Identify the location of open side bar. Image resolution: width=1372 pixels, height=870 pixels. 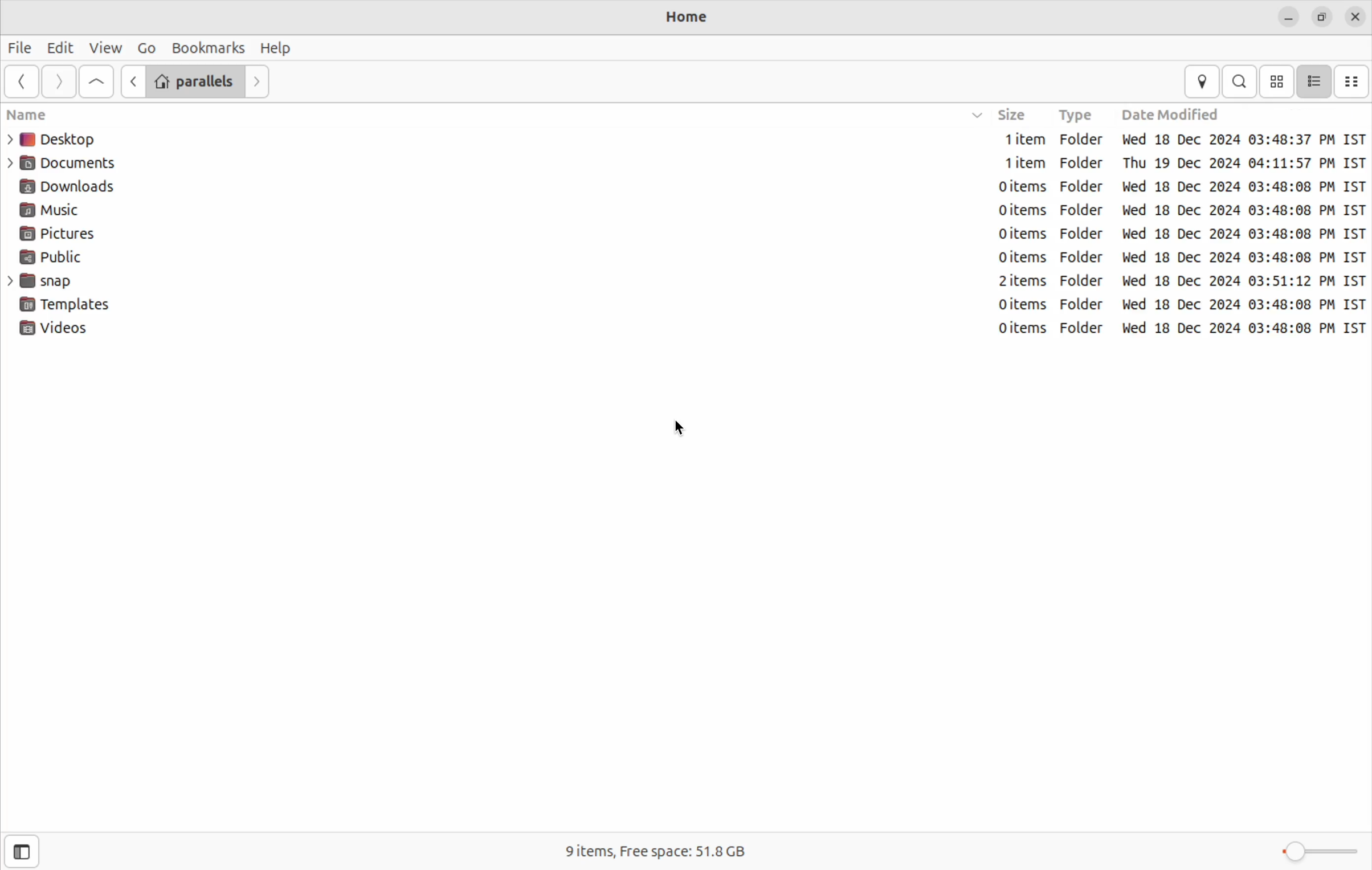
(22, 853).